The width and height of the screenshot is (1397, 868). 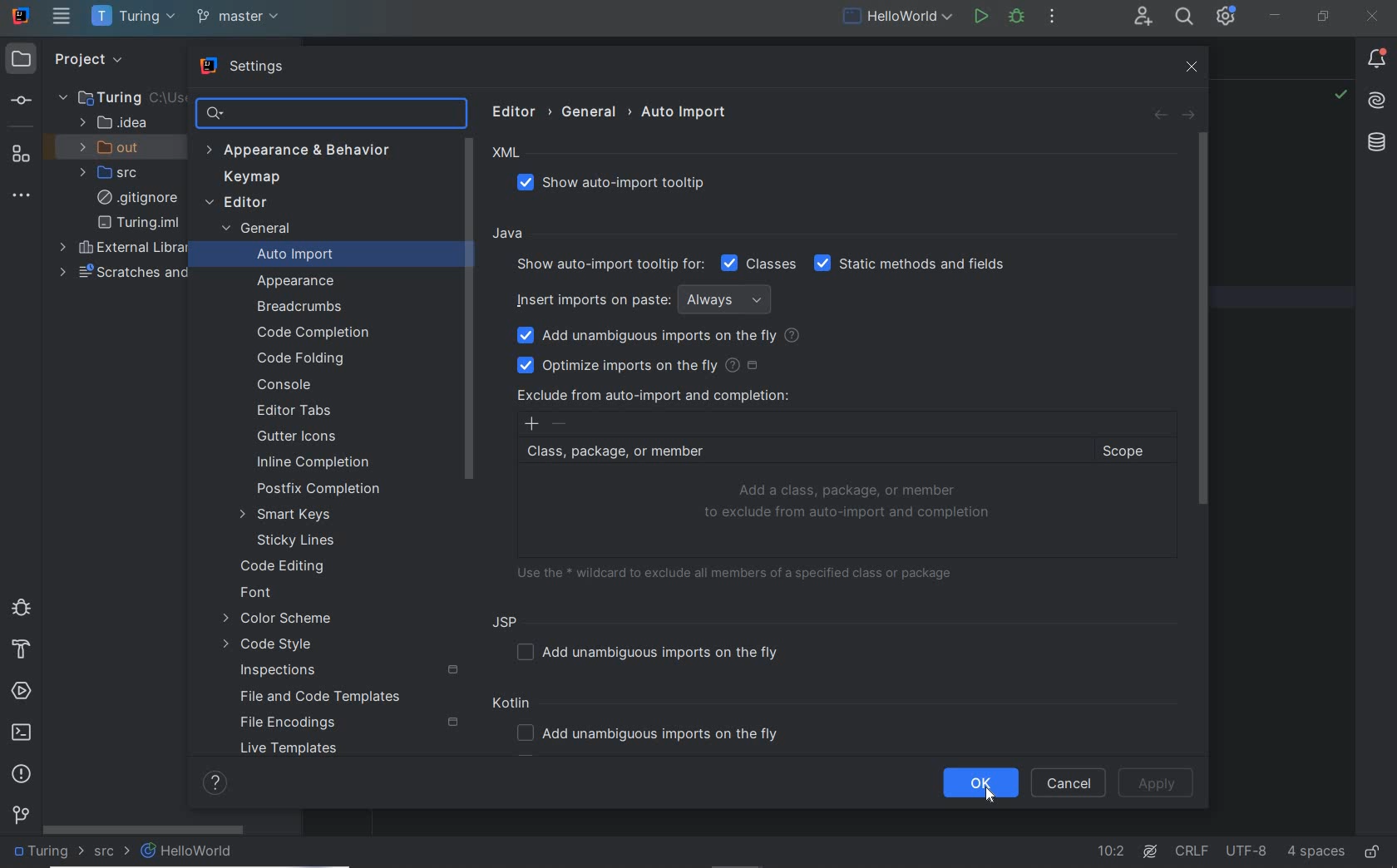 What do you see at coordinates (315, 698) in the screenshot?
I see `FILE AND CODE TEMPLATES` at bounding box center [315, 698].